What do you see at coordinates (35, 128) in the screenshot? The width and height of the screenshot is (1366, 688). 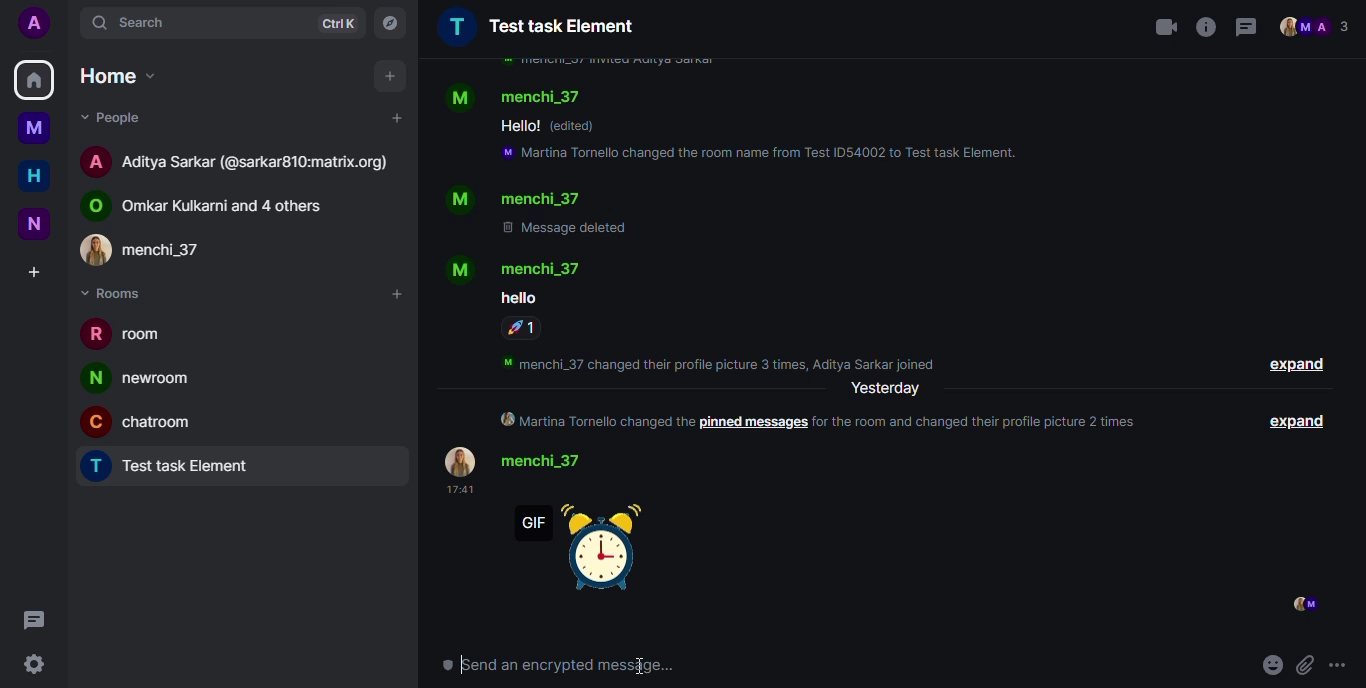 I see `myspace` at bounding box center [35, 128].